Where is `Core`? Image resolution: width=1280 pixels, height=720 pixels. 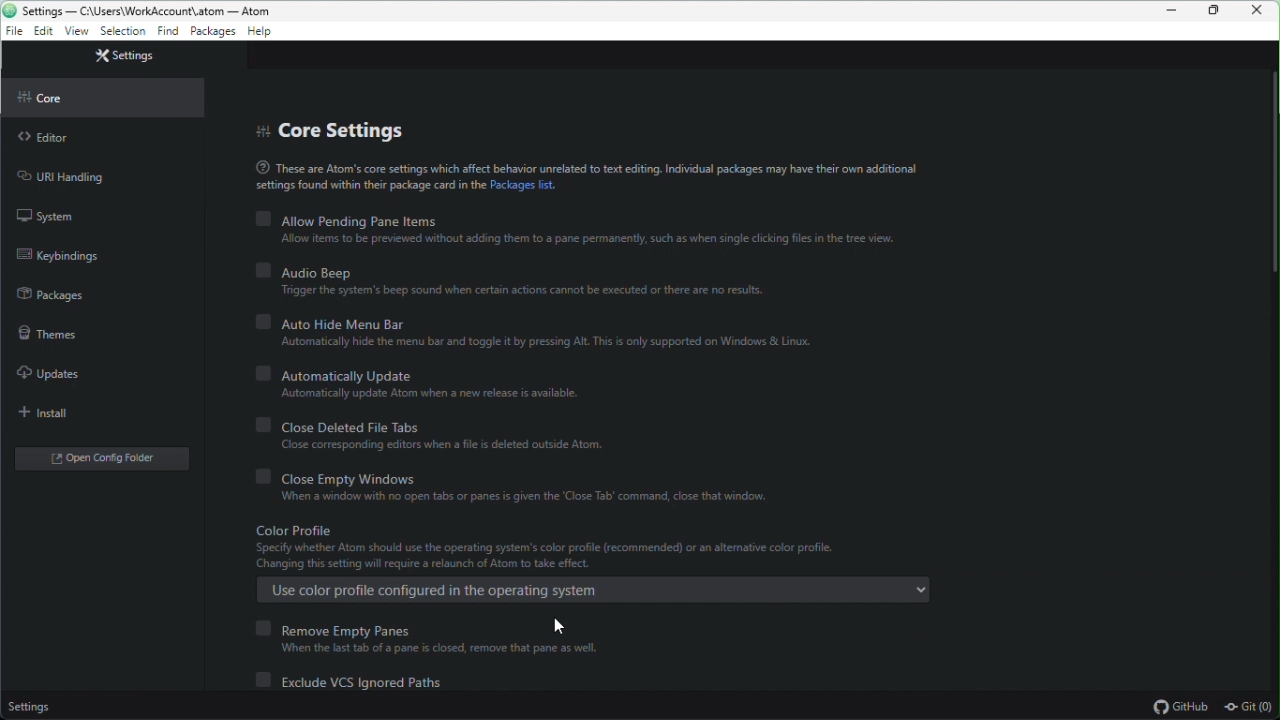
Core is located at coordinates (69, 95).